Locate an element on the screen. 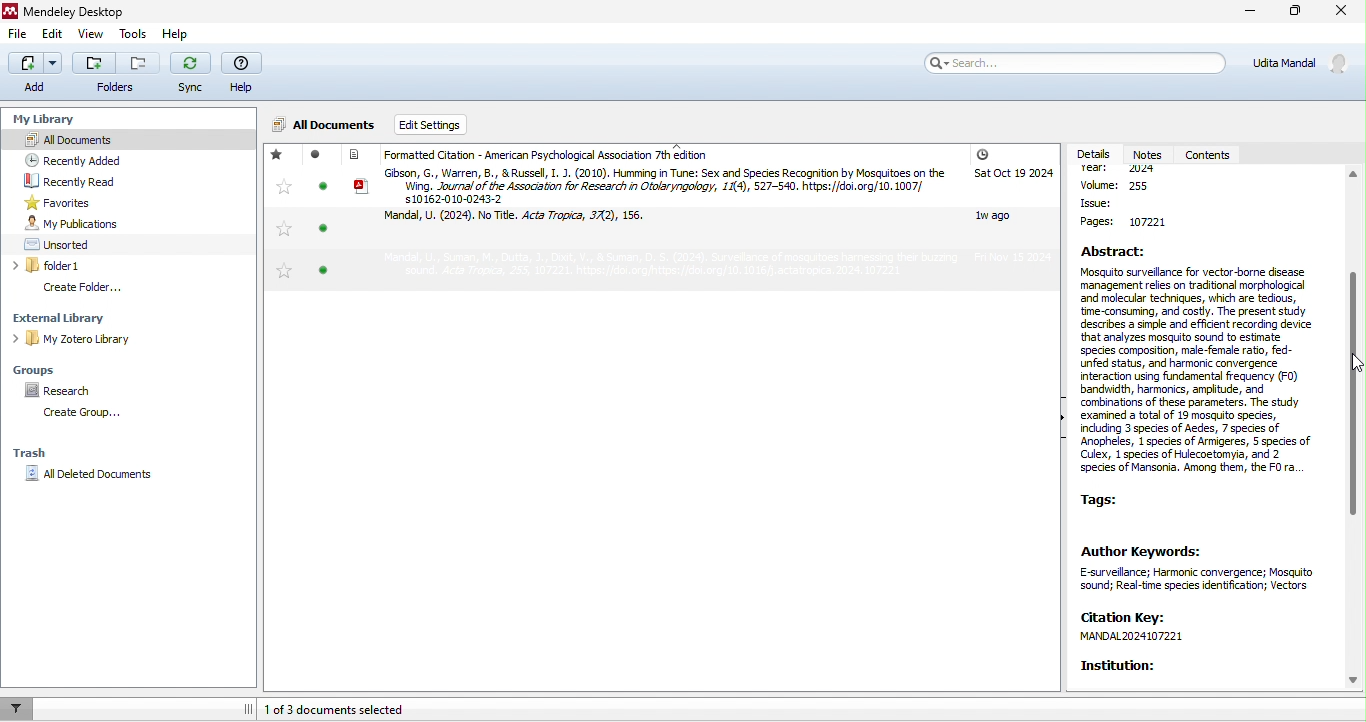  all deleted documents is located at coordinates (100, 477).